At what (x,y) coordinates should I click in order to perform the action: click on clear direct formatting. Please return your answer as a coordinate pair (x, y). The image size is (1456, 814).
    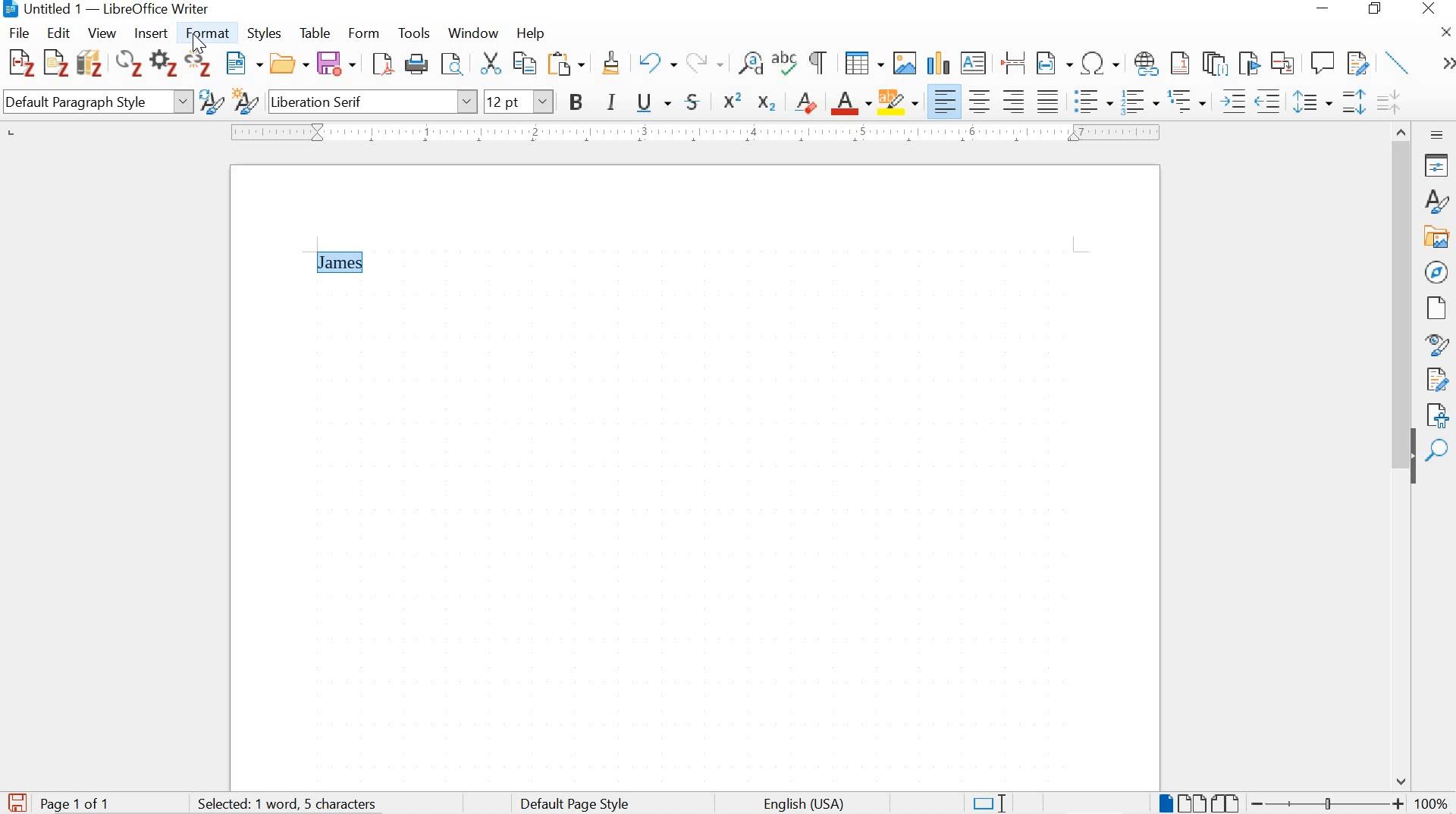
    Looking at the image, I should click on (807, 101).